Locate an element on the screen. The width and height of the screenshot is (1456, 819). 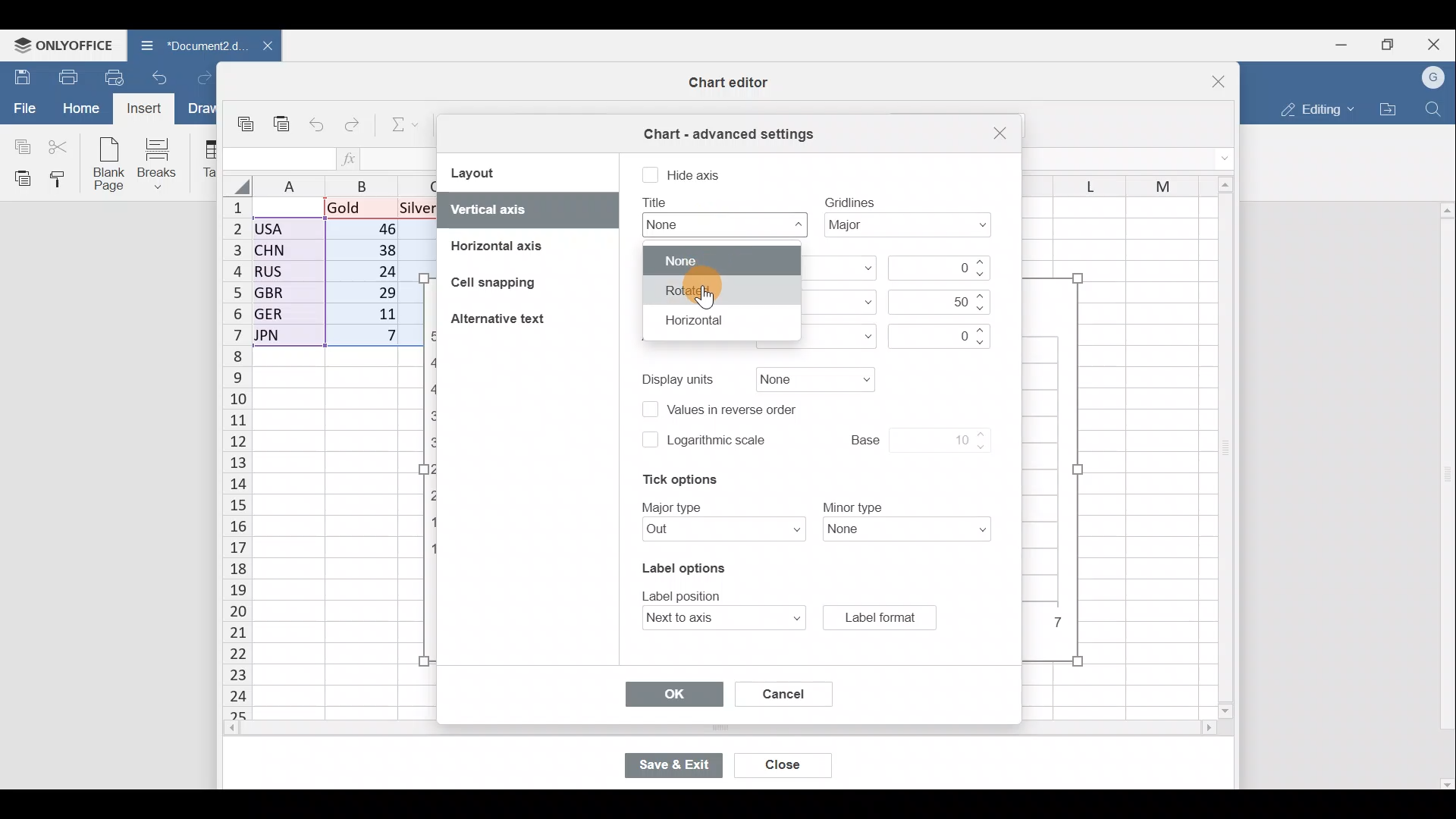
text is located at coordinates (686, 594).